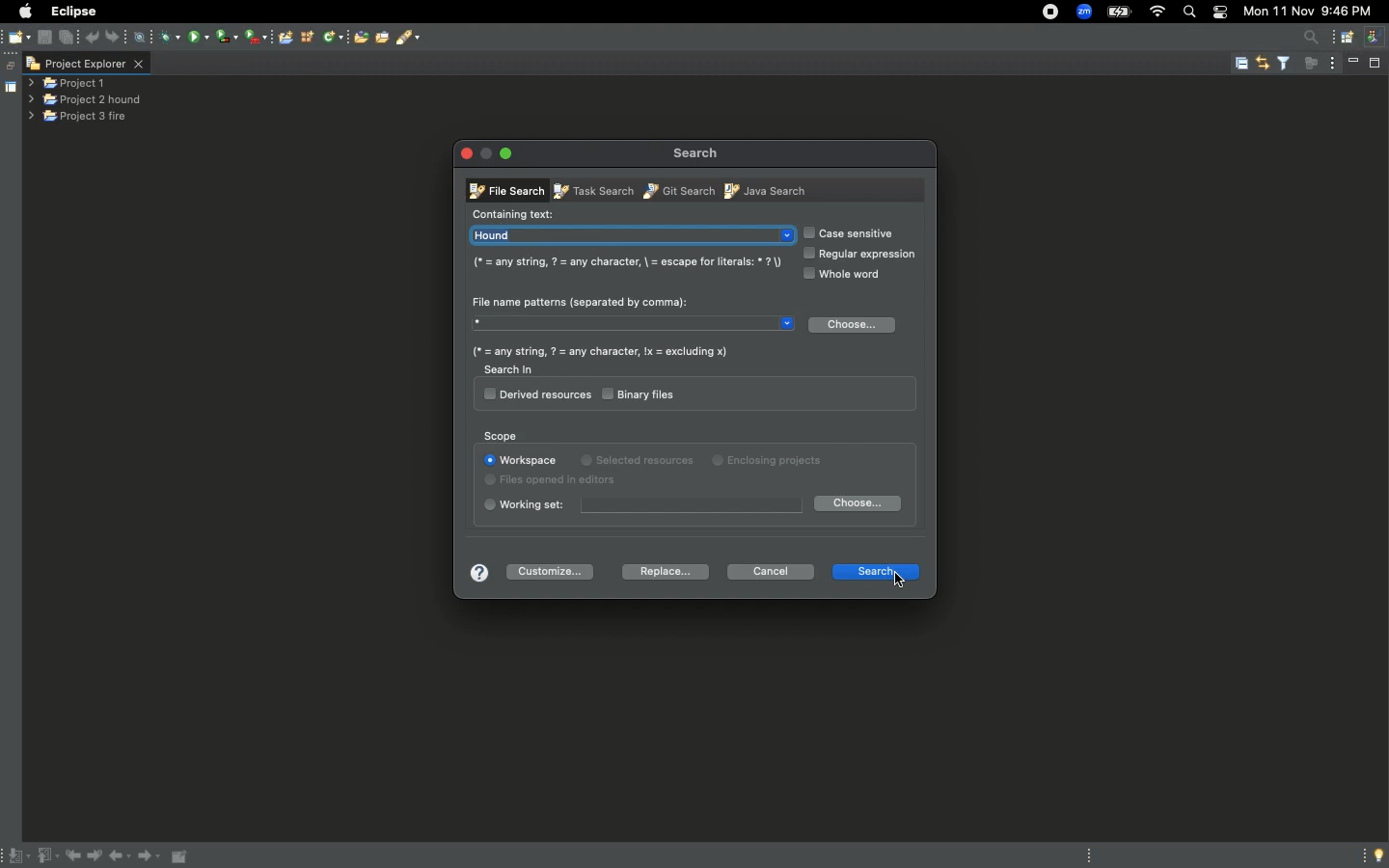  What do you see at coordinates (258, 36) in the screenshot?
I see `run last tool` at bounding box center [258, 36].